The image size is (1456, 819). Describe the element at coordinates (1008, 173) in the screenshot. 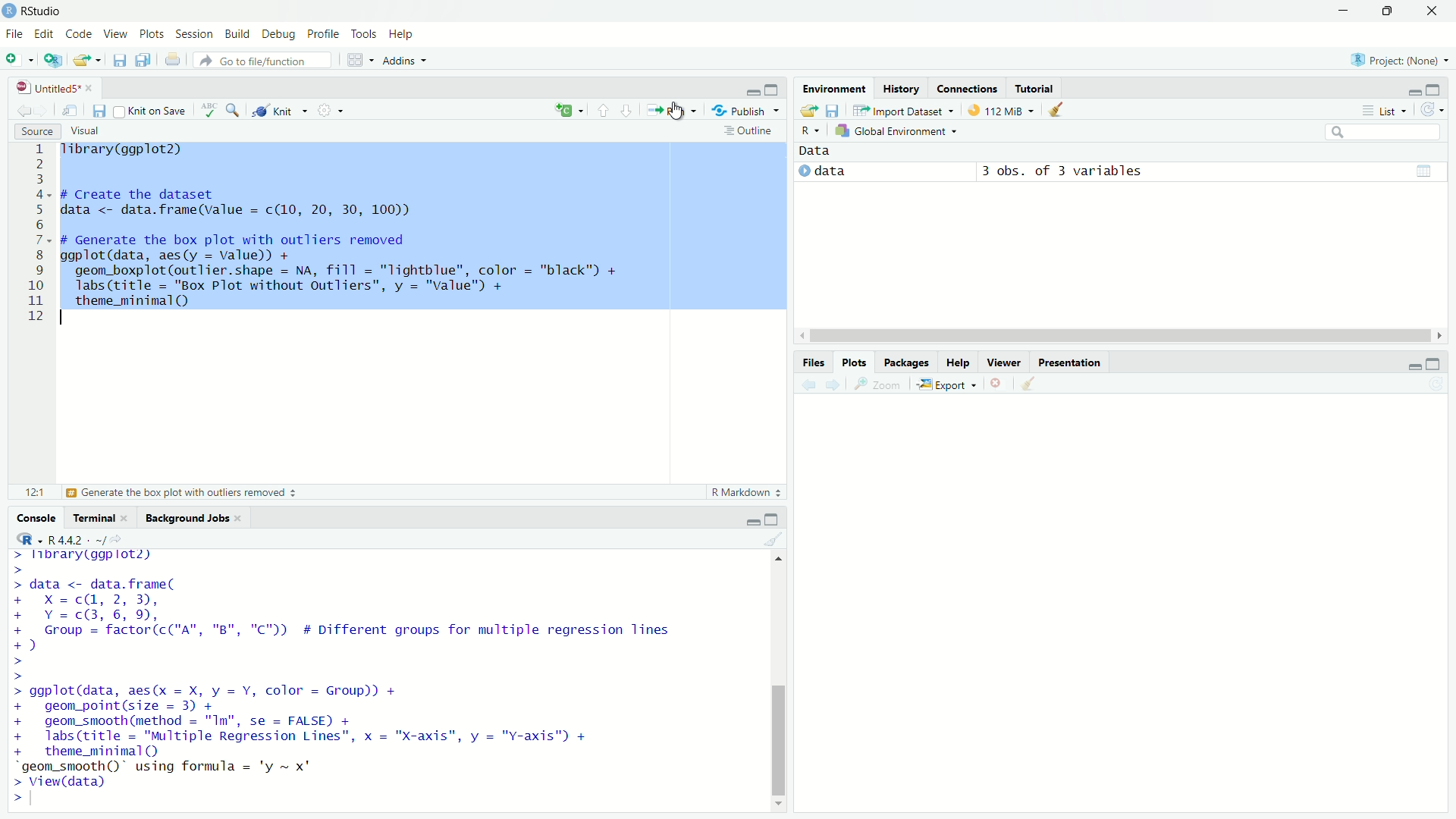

I see `© data 3 obs. of 3 variables` at that location.